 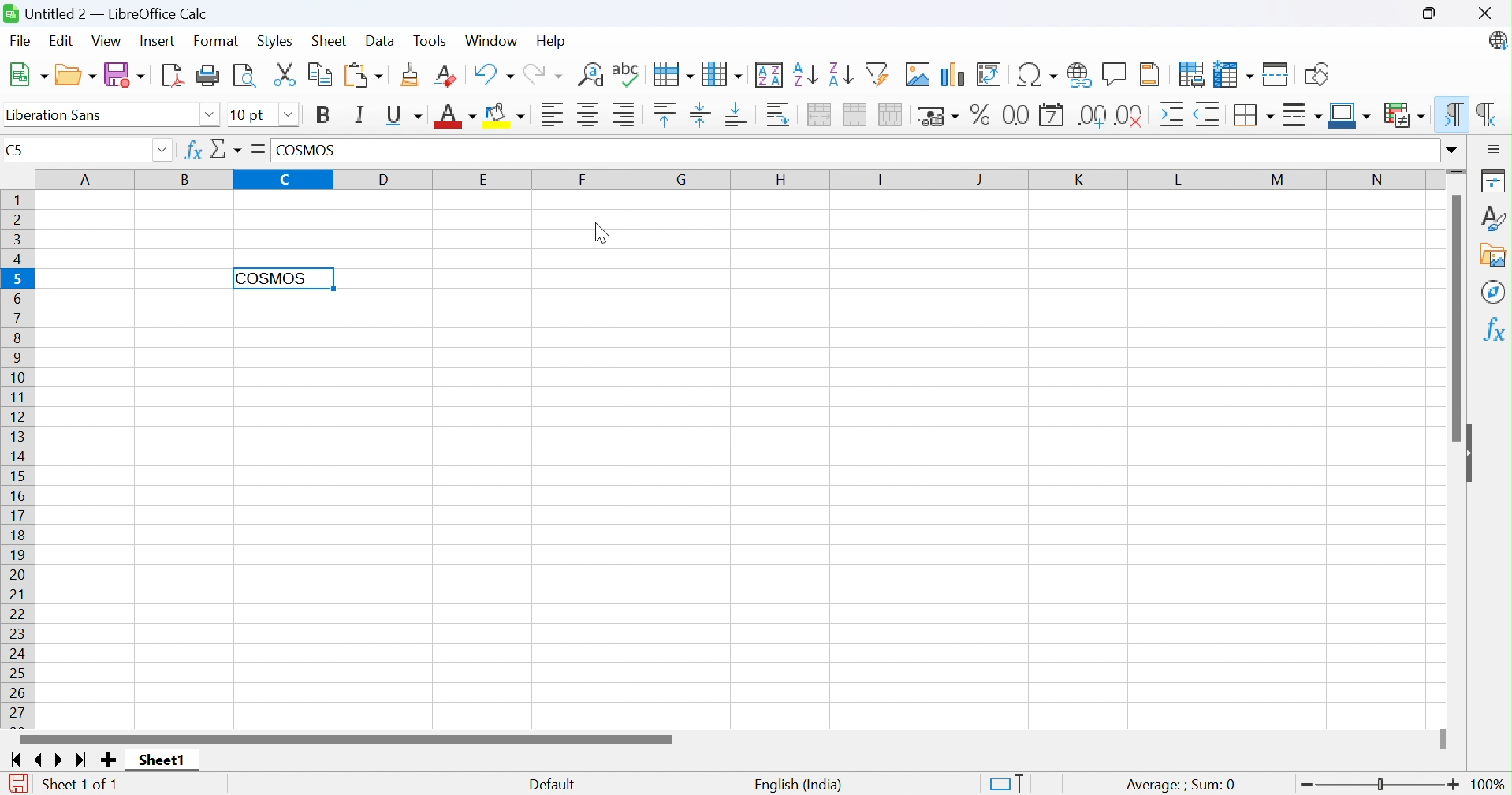 I want to click on Sheet, so click(x=328, y=41).